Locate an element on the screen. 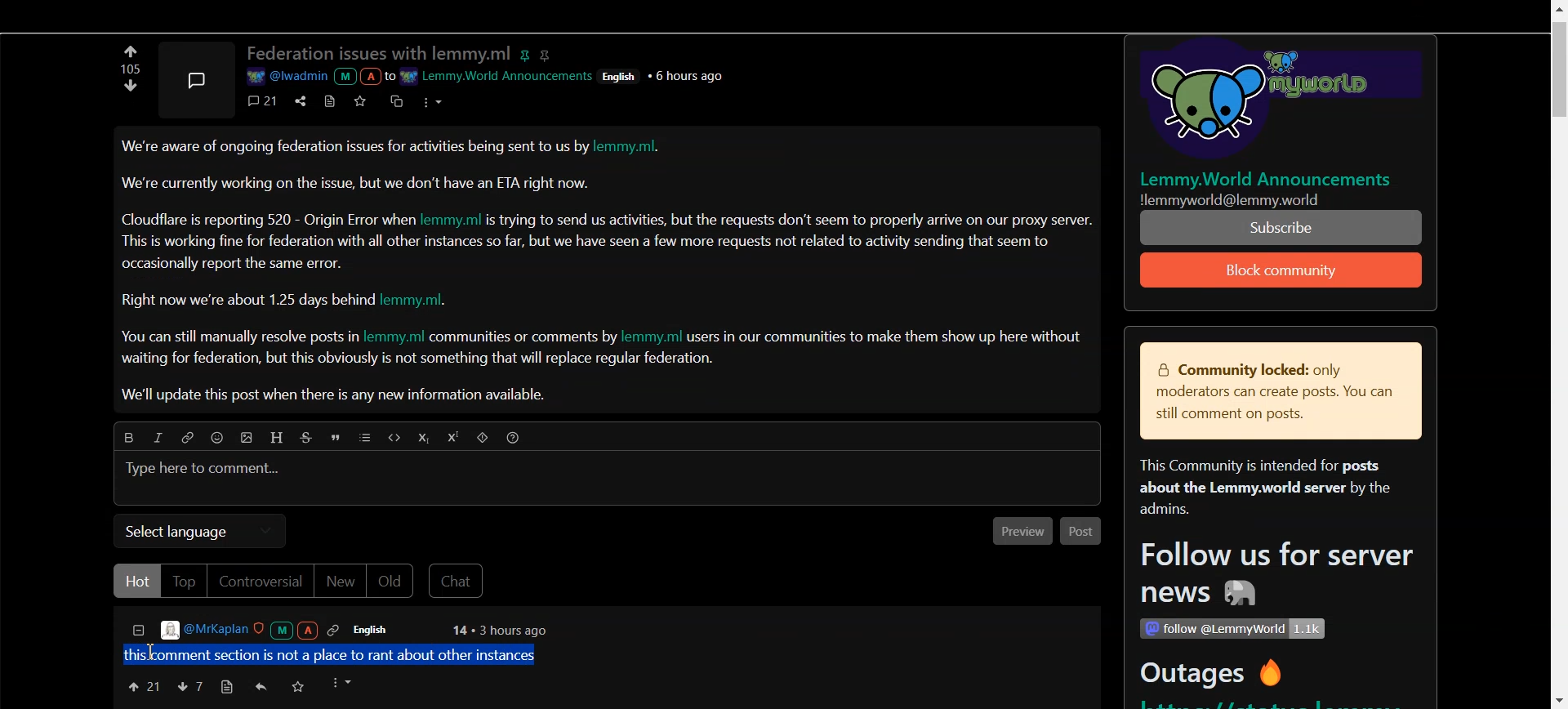 The image size is (1568, 709). Right now we're about 1.25 days behind is located at coordinates (249, 301).